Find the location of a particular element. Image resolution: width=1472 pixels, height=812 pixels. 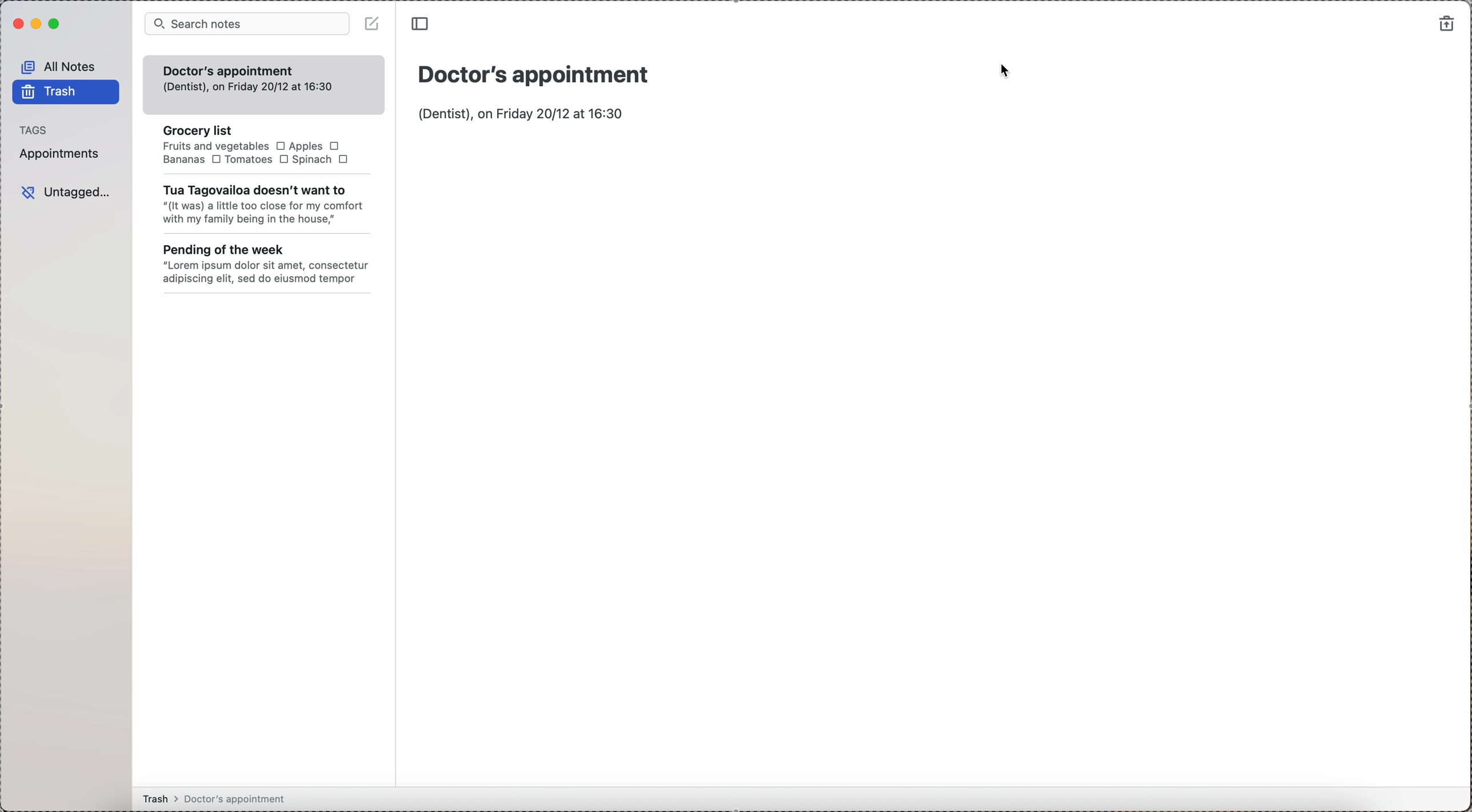

Spinach is located at coordinates (320, 161).